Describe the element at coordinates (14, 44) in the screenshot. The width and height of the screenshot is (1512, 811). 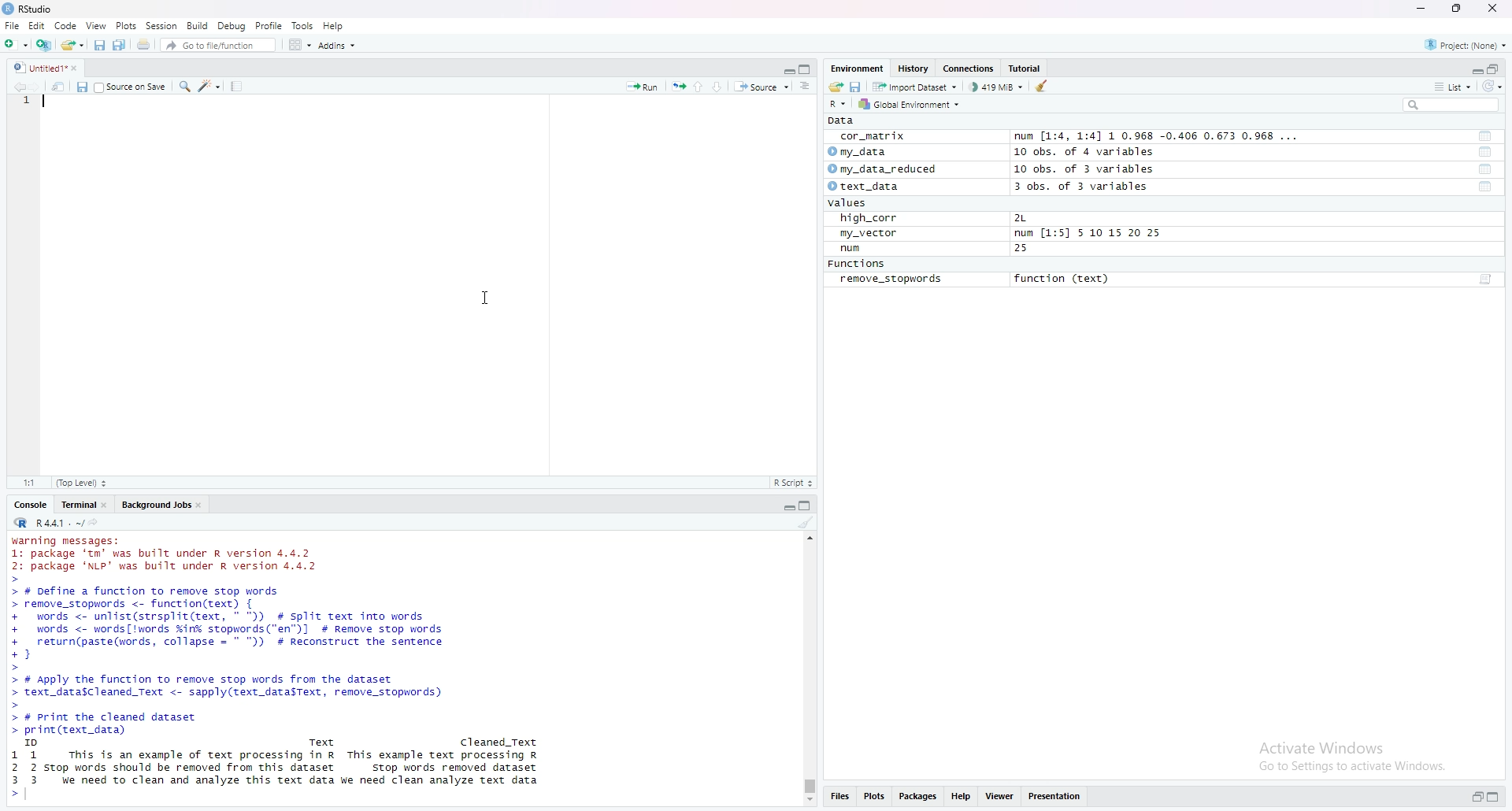
I see `Add a new file` at that location.